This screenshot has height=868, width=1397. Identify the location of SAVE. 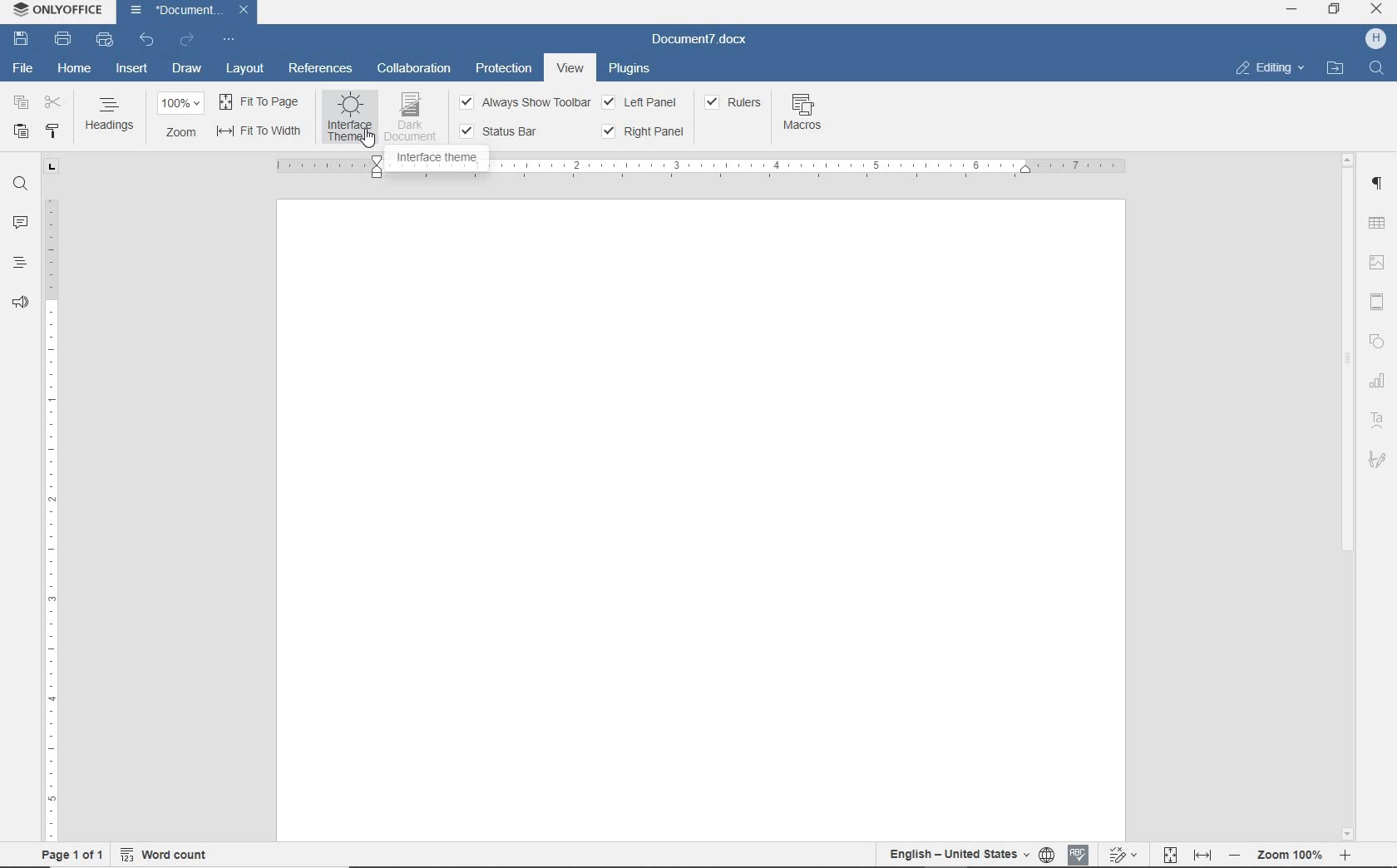
(21, 39).